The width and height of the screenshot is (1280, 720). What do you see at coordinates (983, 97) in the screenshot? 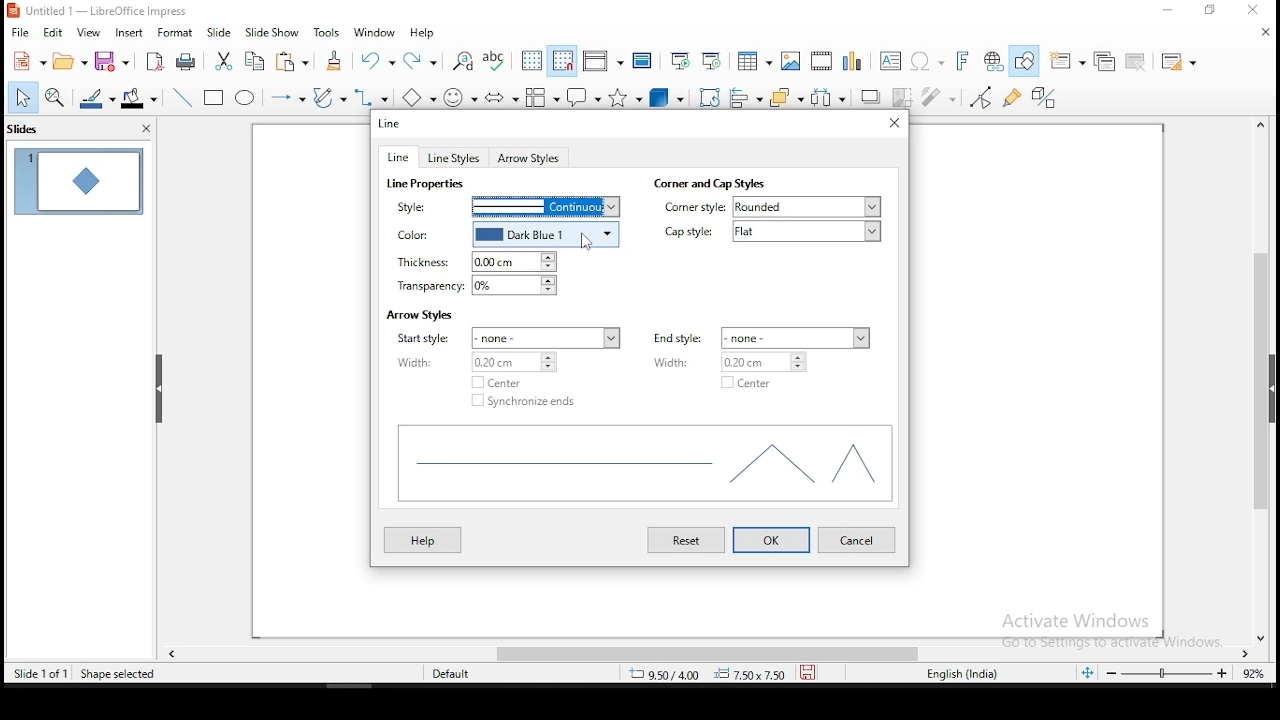
I see `toggle point edit mode` at bounding box center [983, 97].